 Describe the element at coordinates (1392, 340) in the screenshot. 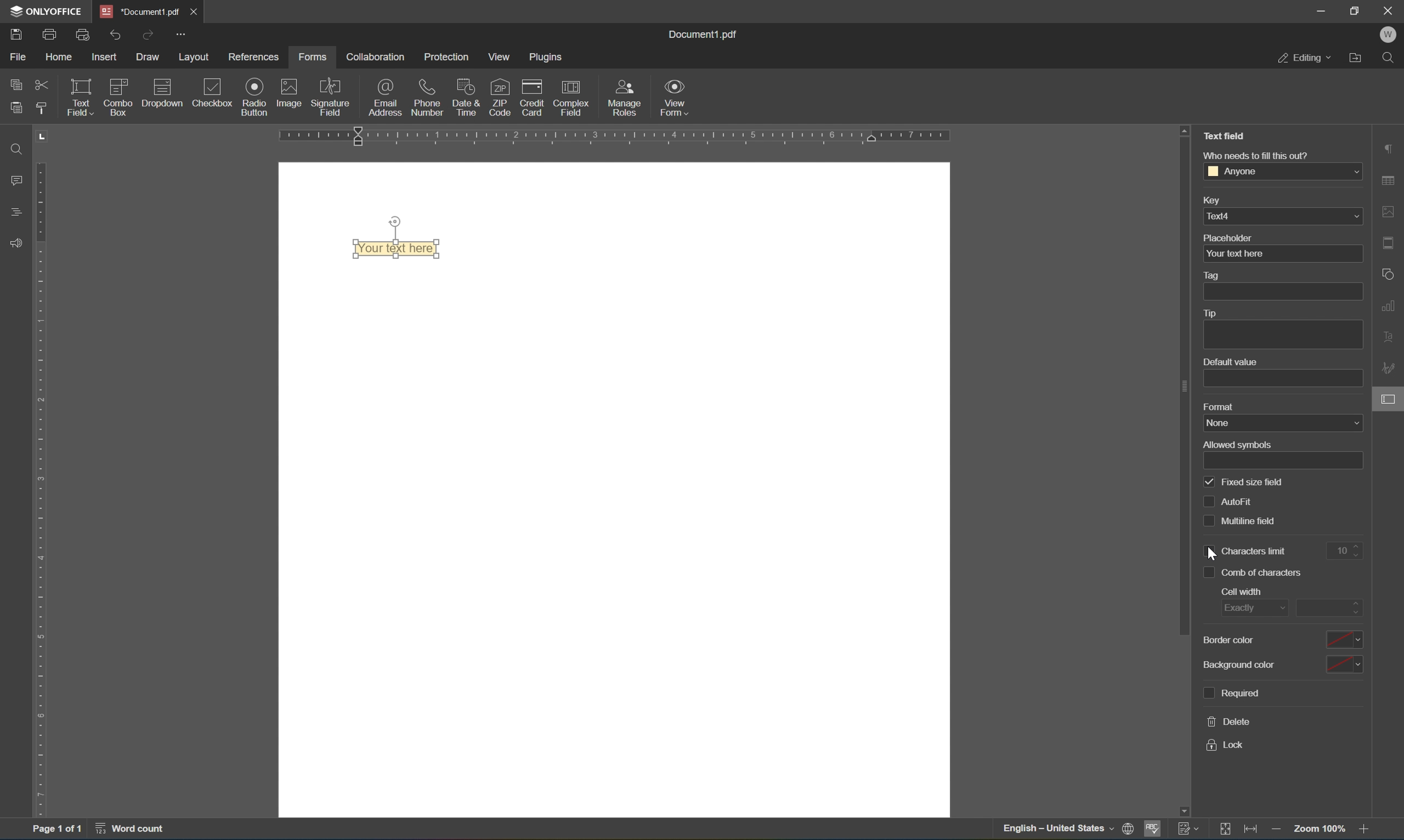

I see `text art settings` at that location.